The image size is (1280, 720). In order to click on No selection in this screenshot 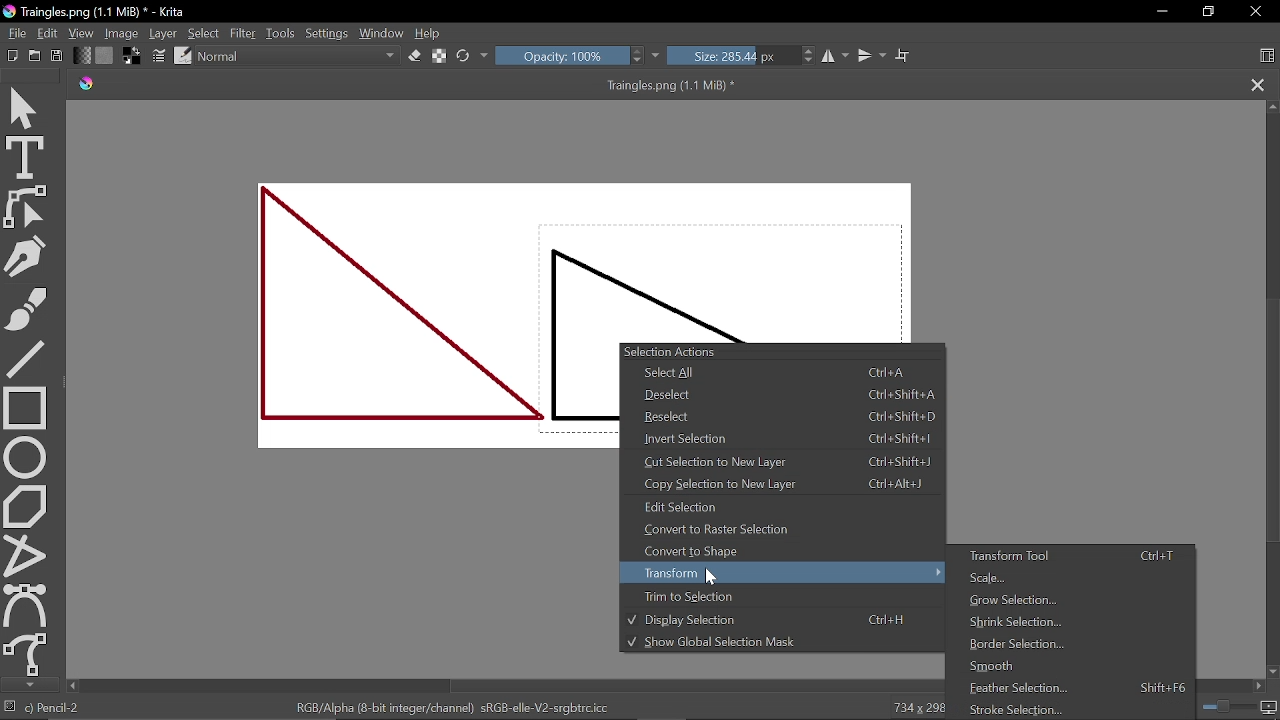, I will do `click(10, 708)`.